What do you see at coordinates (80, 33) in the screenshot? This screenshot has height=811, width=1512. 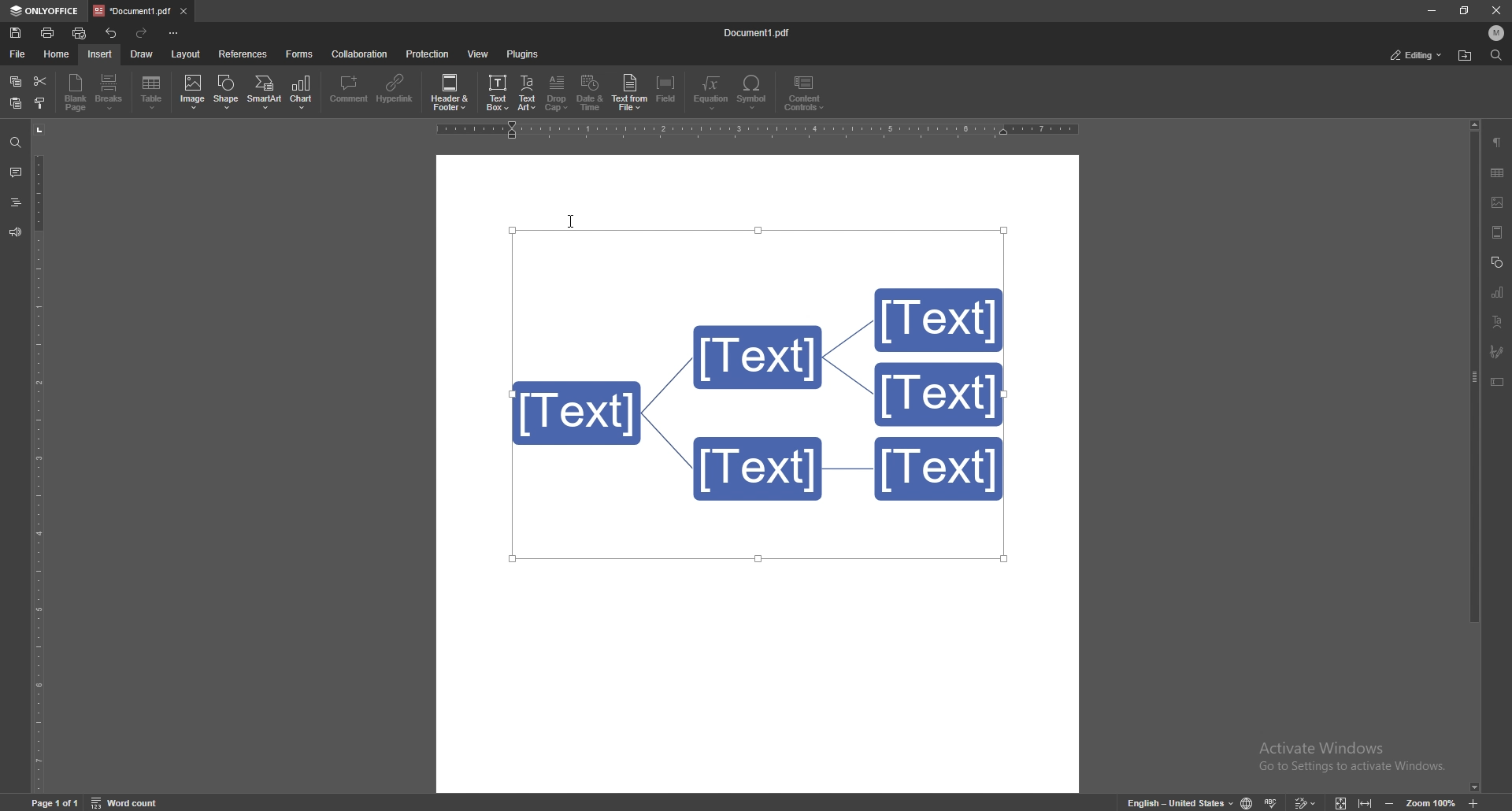 I see `quick print` at bounding box center [80, 33].